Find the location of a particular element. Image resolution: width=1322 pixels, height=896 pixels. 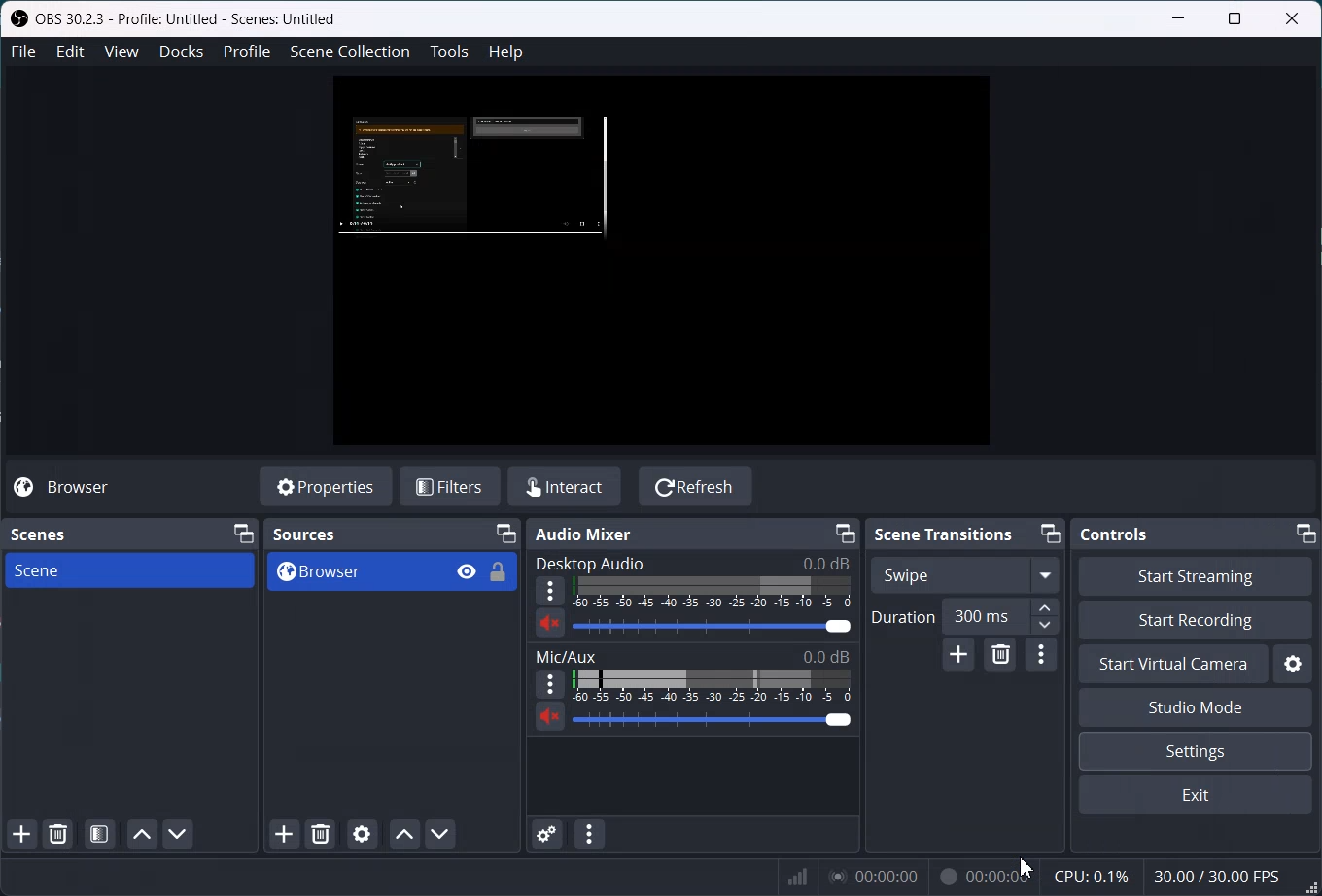

Settings is located at coordinates (1196, 749).